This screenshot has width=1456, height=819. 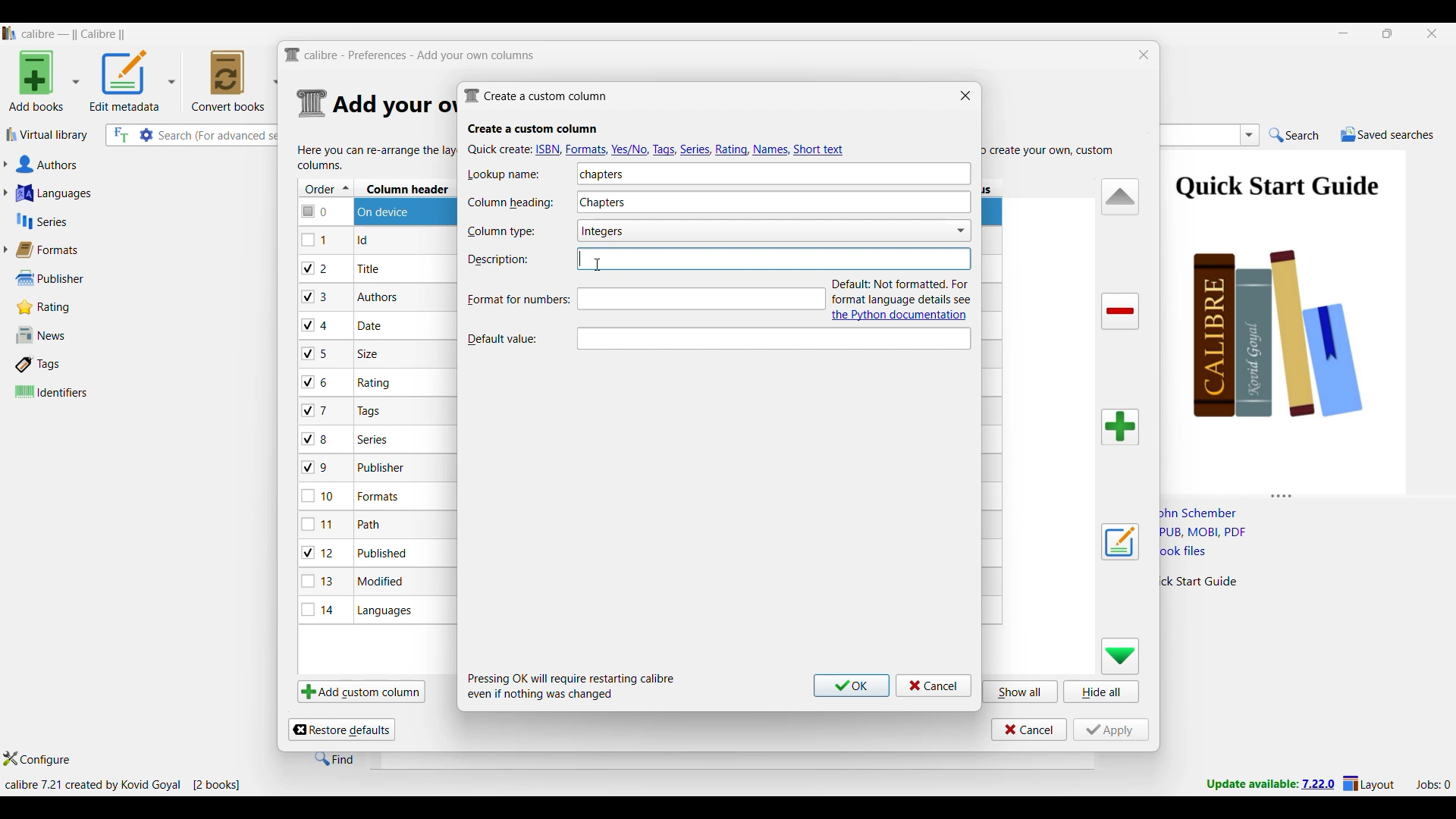 I want to click on Delete column, so click(x=1121, y=312).